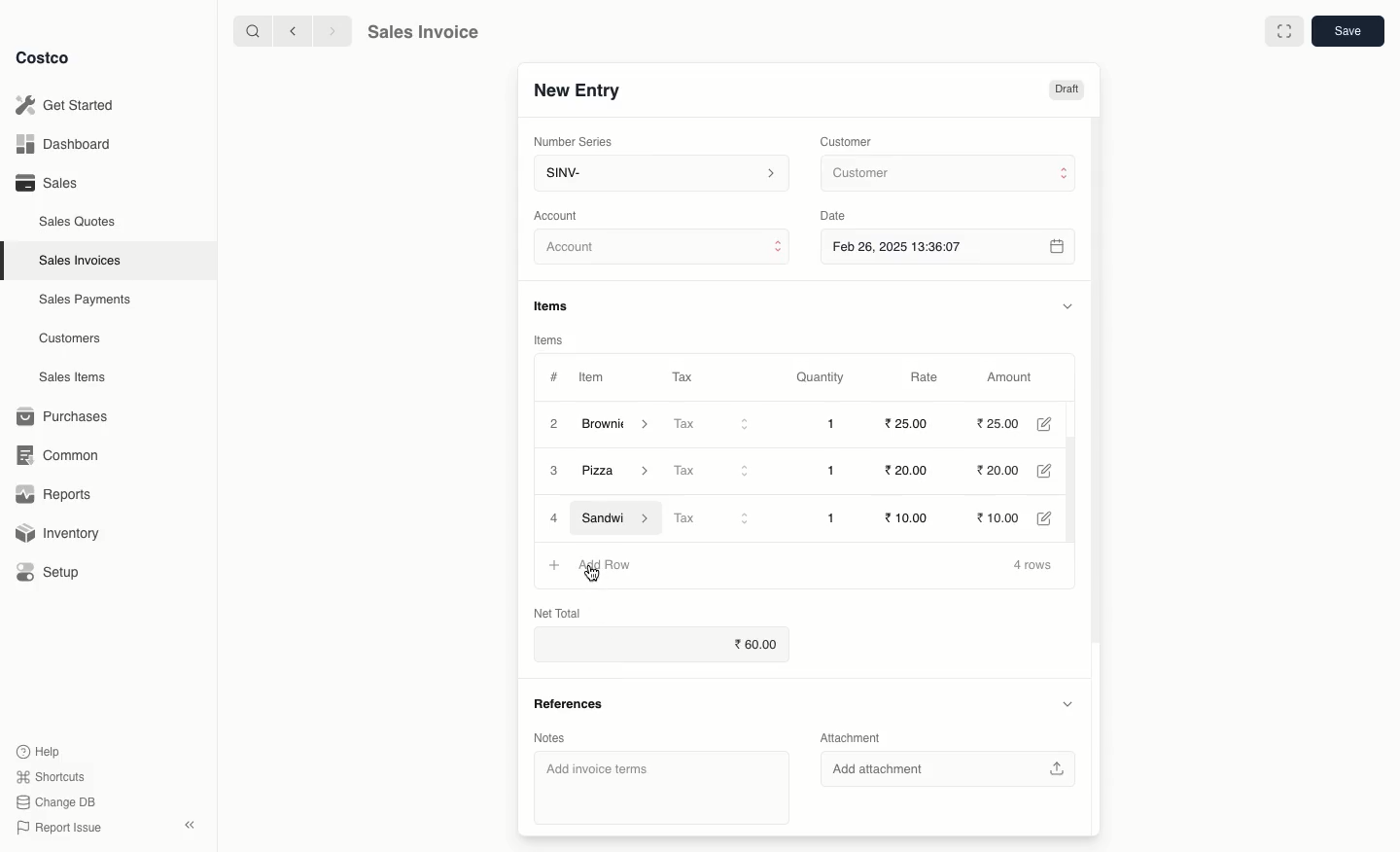  What do you see at coordinates (852, 739) in the screenshot?
I see `Attachment` at bounding box center [852, 739].